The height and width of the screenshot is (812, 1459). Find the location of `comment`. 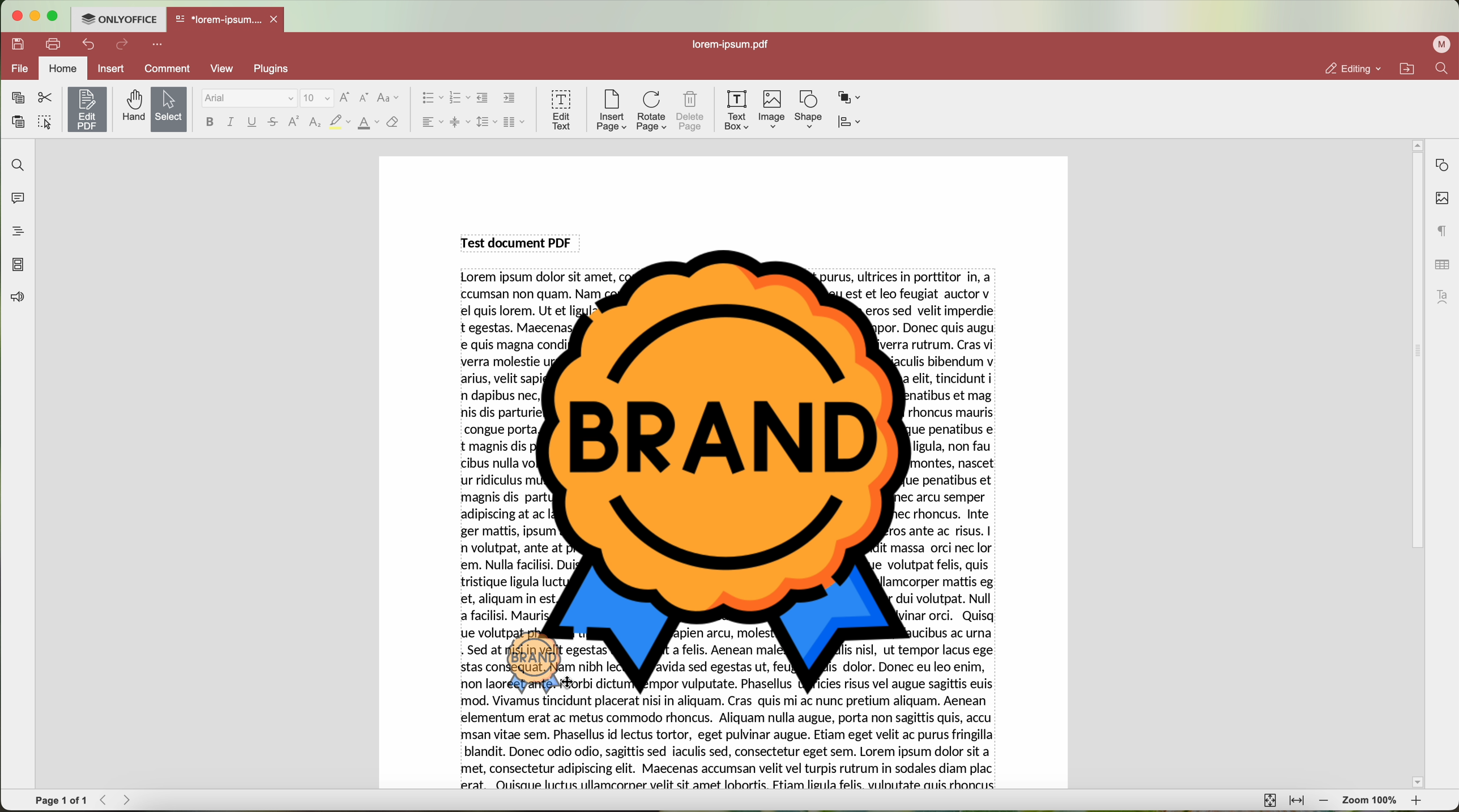

comment is located at coordinates (169, 70).